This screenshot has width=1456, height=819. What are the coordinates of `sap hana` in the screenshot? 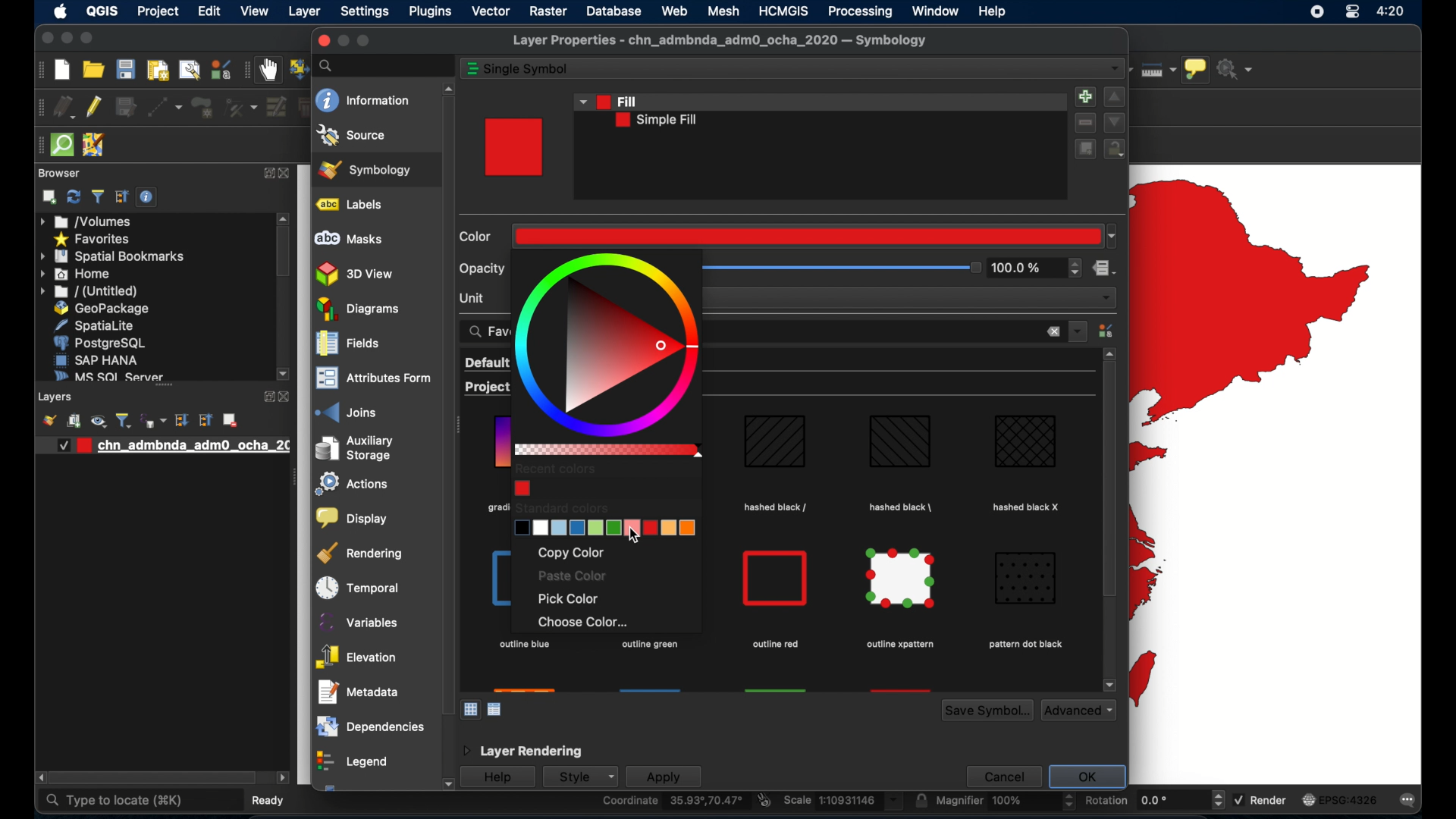 It's located at (96, 359).